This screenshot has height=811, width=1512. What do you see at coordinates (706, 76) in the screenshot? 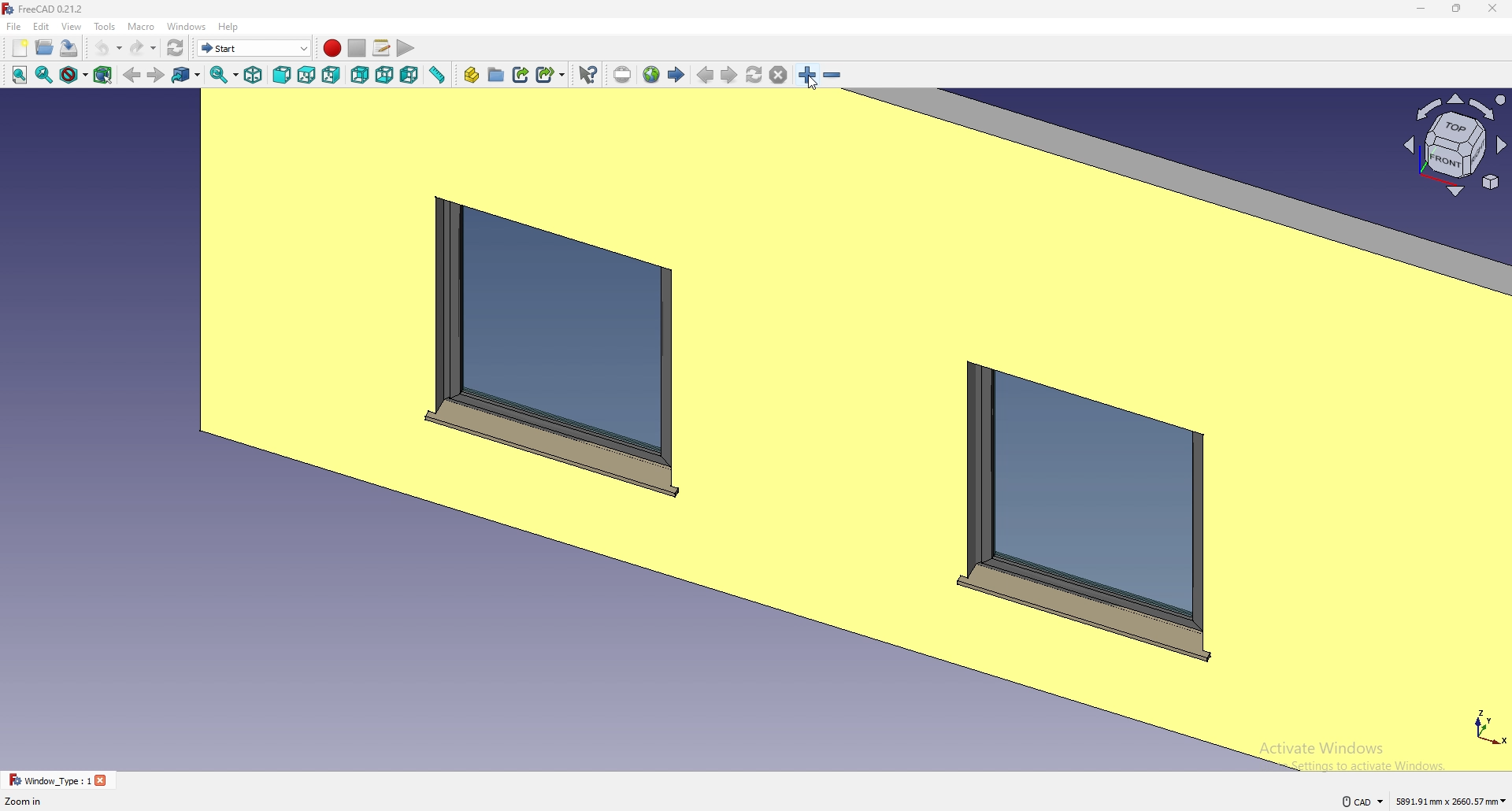
I see `previous page` at bounding box center [706, 76].